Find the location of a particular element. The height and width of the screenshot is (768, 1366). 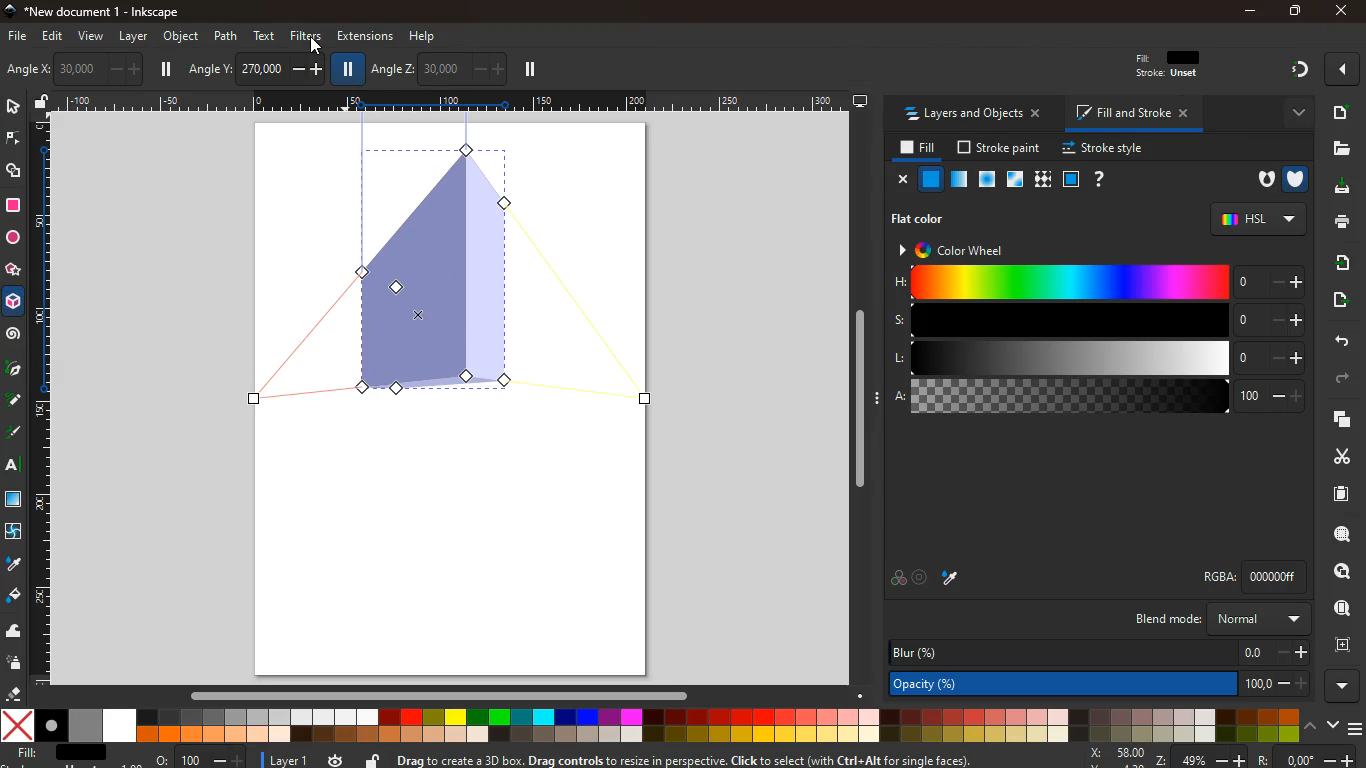

texture is located at coordinates (1043, 179).